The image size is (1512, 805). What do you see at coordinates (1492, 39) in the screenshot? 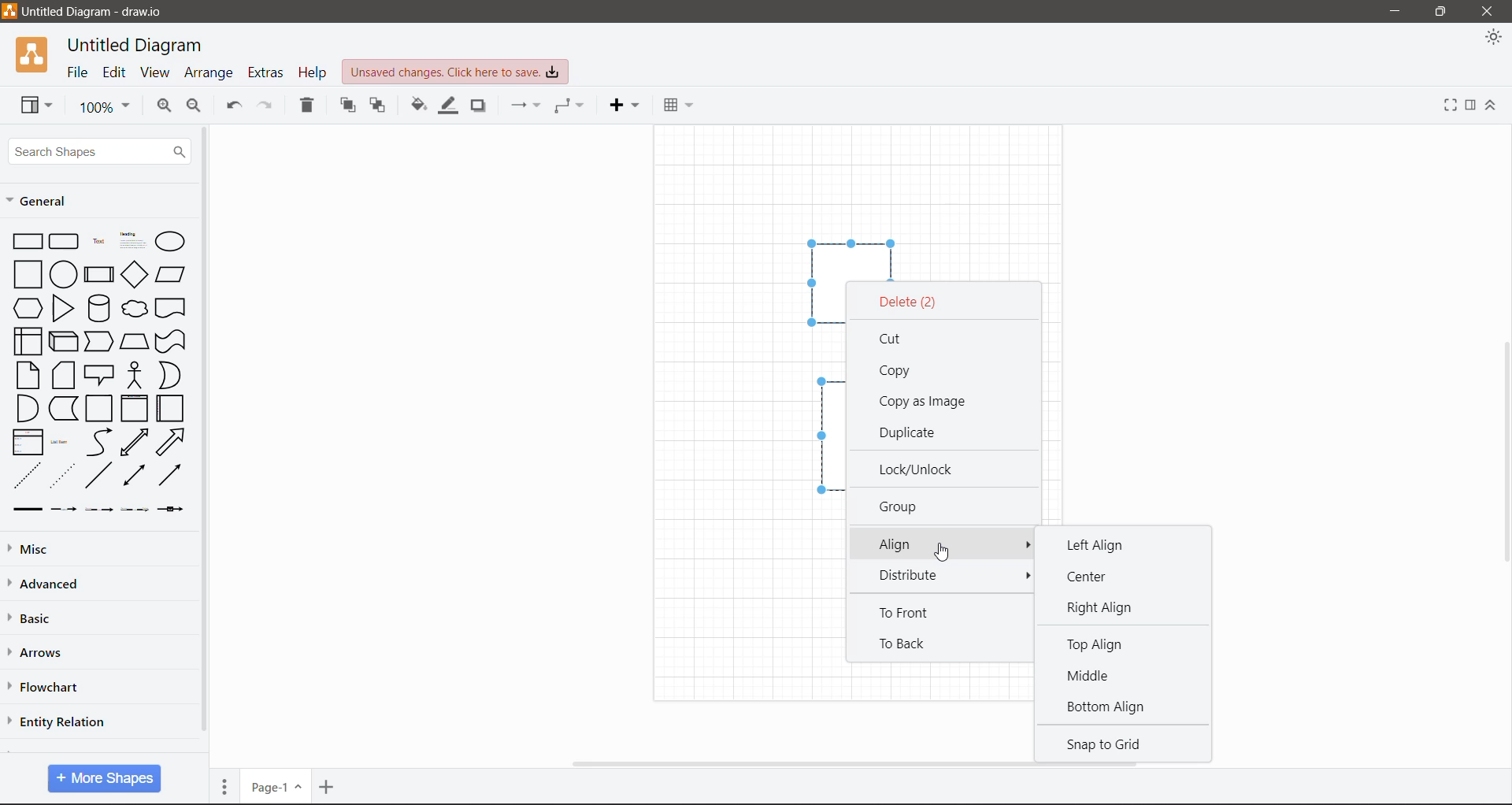
I see `Appearance` at bounding box center [1492, 39].